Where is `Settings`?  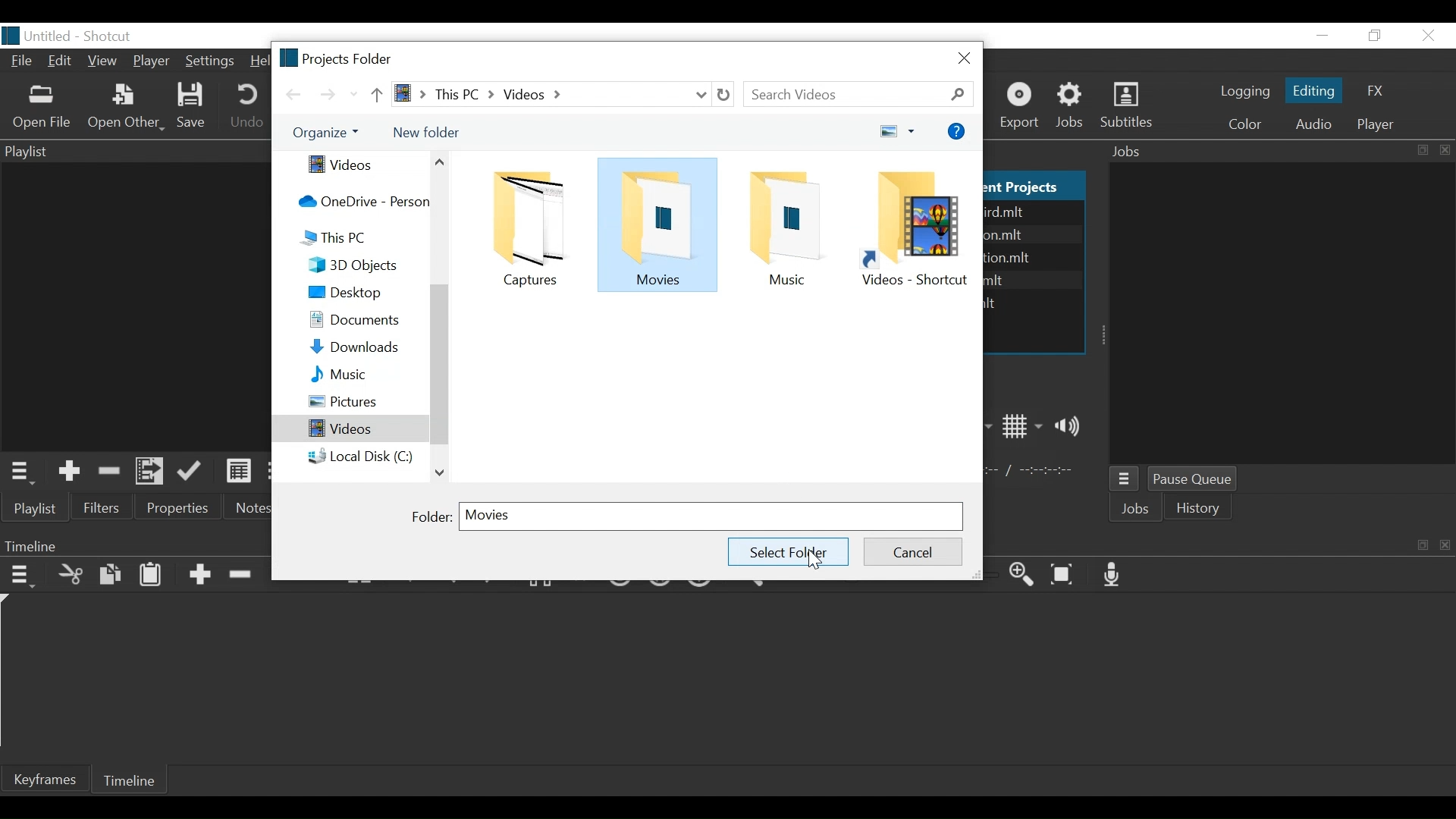 Settings is located at coordinates (208, 63).